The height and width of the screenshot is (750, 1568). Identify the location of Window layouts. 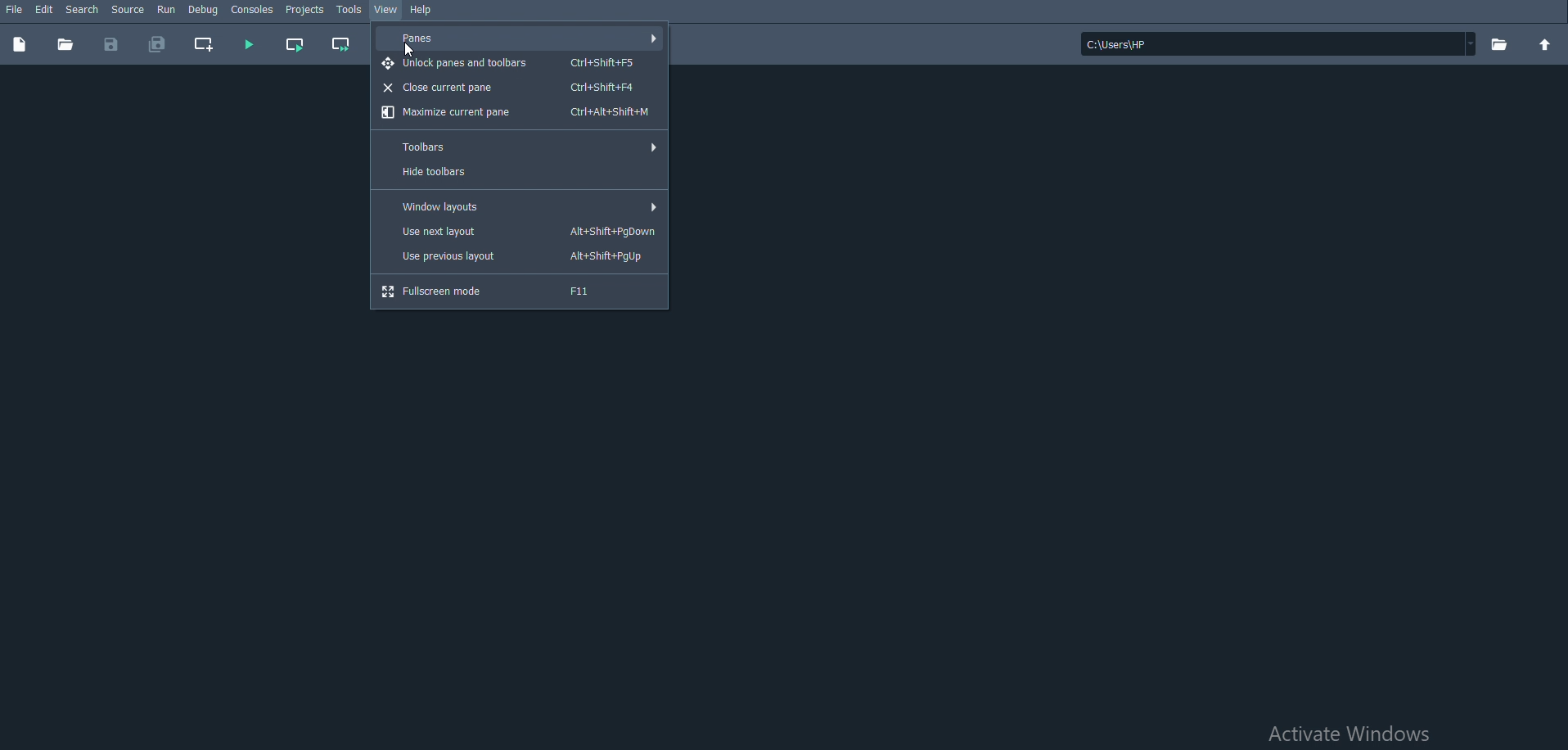
(516, 206).